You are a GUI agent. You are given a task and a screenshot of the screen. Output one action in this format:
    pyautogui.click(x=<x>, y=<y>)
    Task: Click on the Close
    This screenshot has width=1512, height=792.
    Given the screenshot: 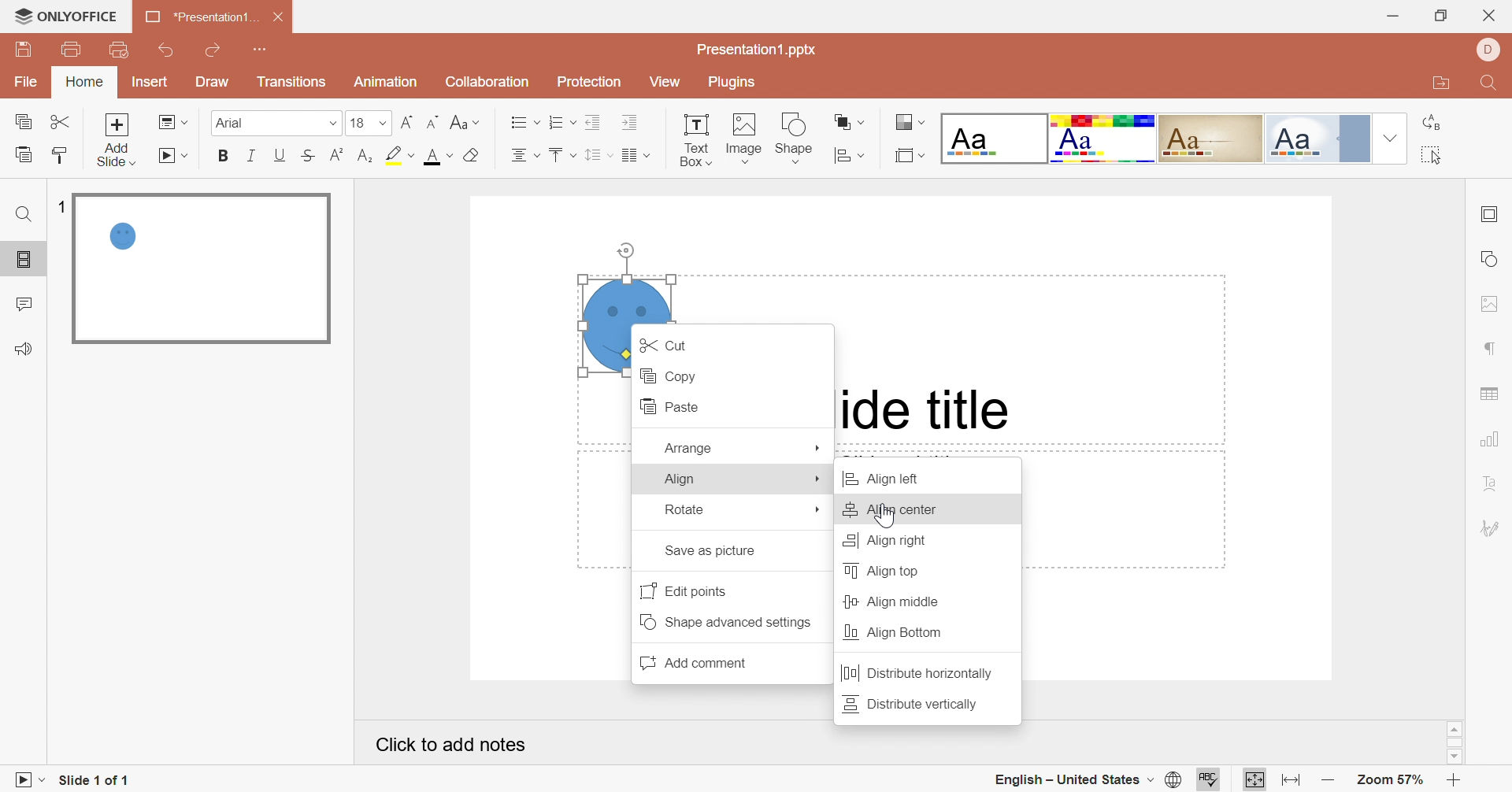 What is the action you would take?
    pyautogui.click(x=280, y=17)
    